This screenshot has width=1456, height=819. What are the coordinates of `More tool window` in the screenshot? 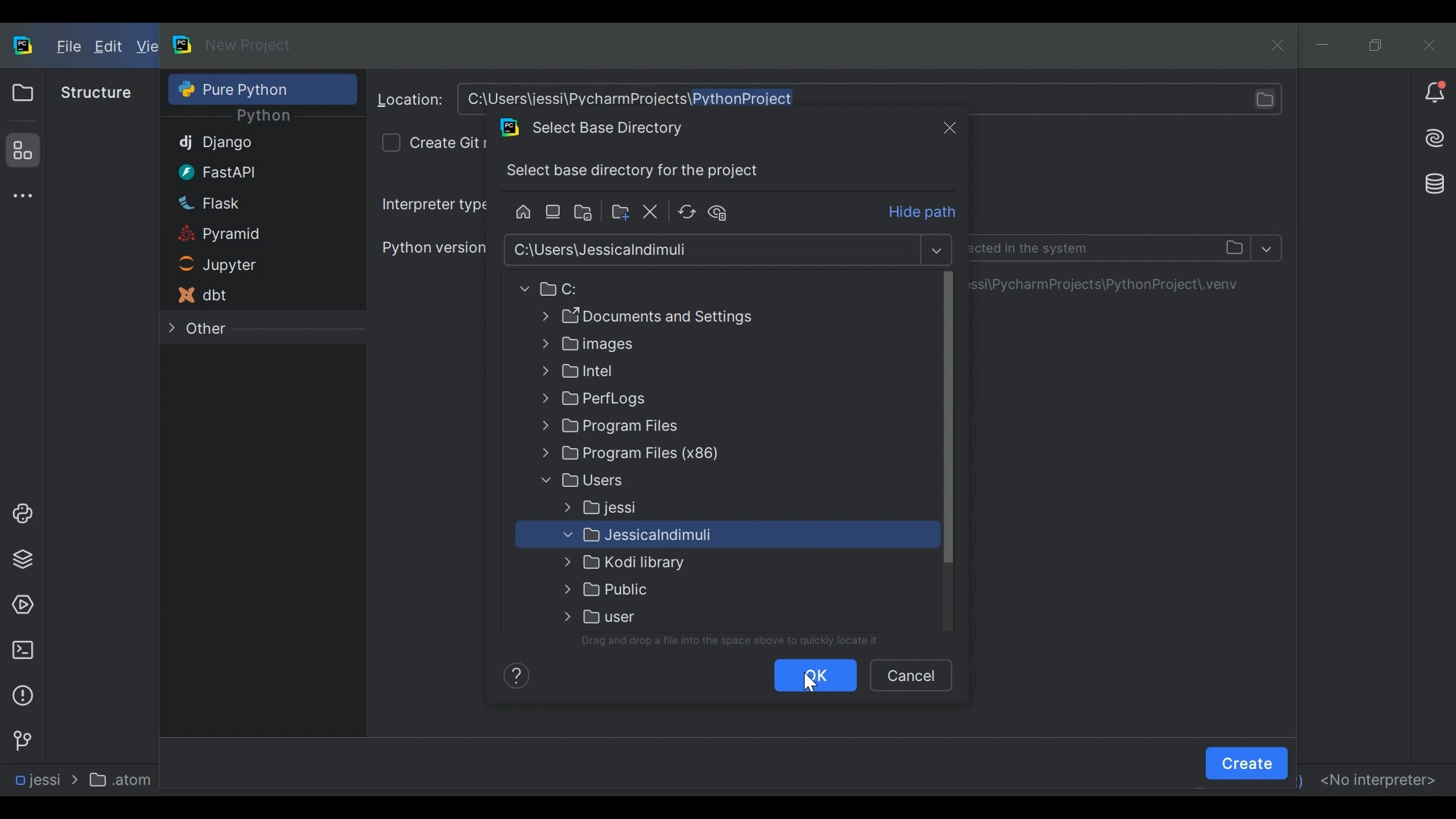 It's located at (20, 196).